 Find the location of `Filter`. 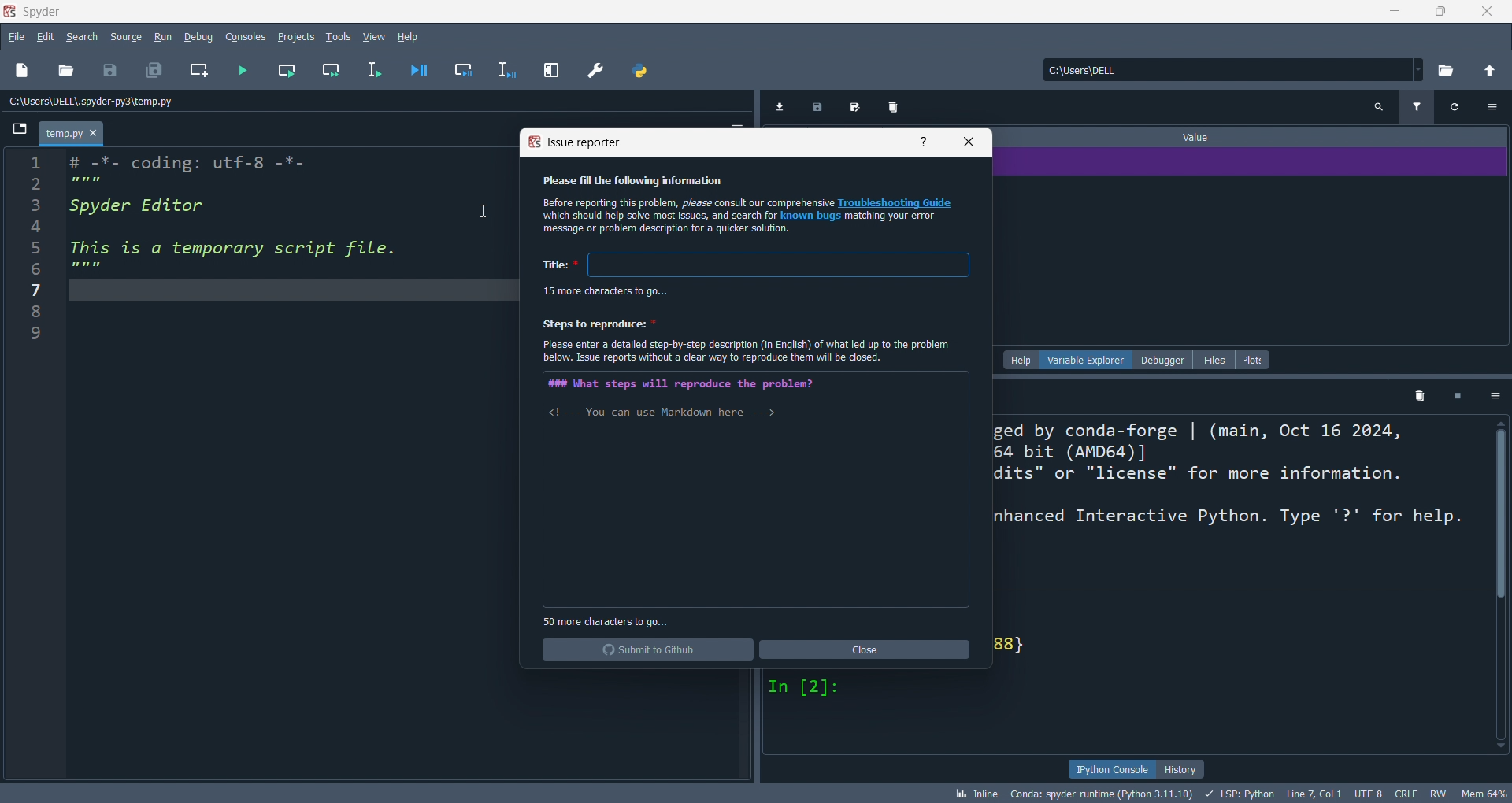

Filter is located at coordinates (1417, 107).